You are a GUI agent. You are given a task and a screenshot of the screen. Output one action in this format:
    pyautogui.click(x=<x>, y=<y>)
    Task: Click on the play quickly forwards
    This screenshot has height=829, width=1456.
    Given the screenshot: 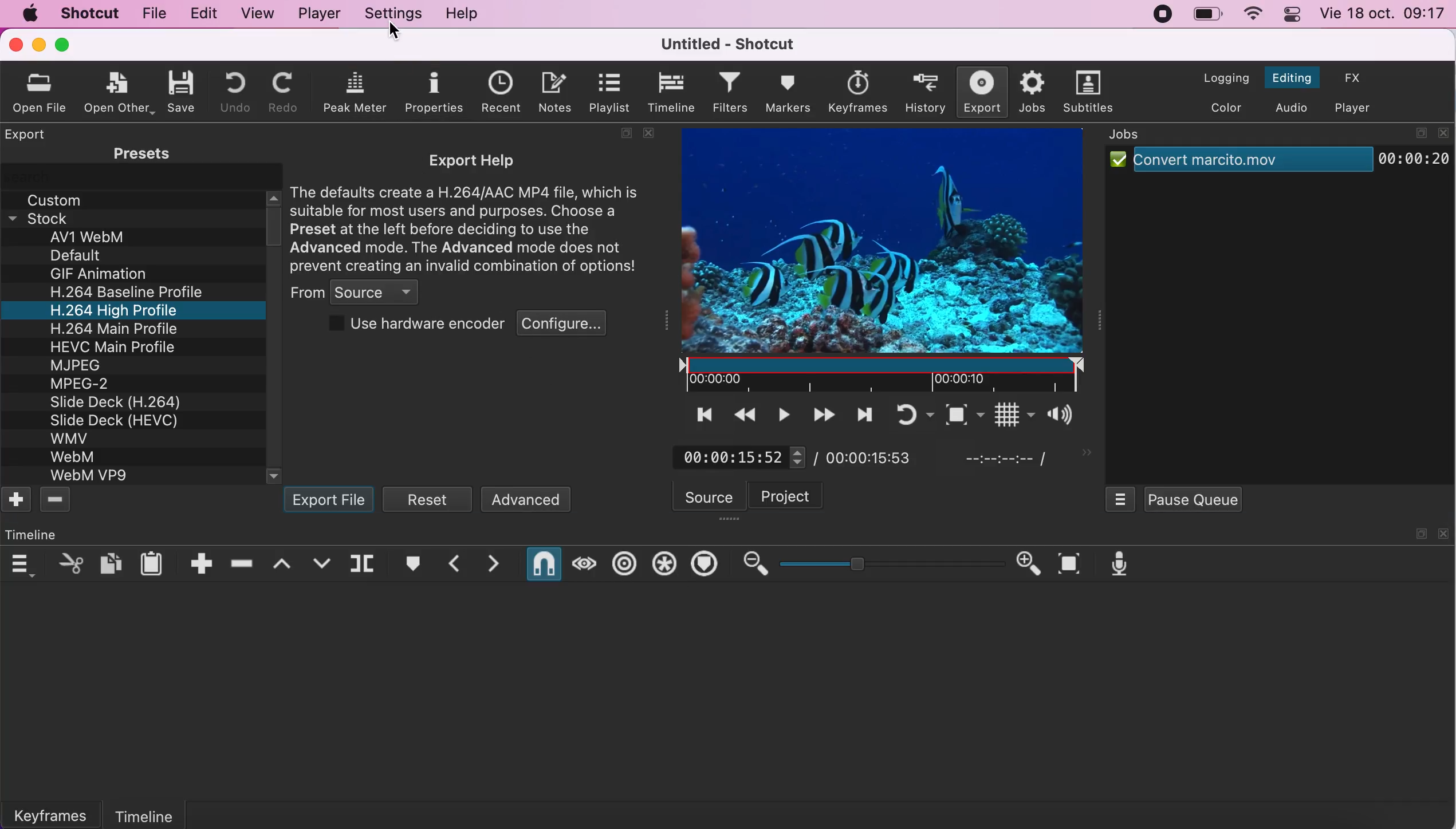 What is the action you would take?
    pyautogui.click(x=824, y=414)
    